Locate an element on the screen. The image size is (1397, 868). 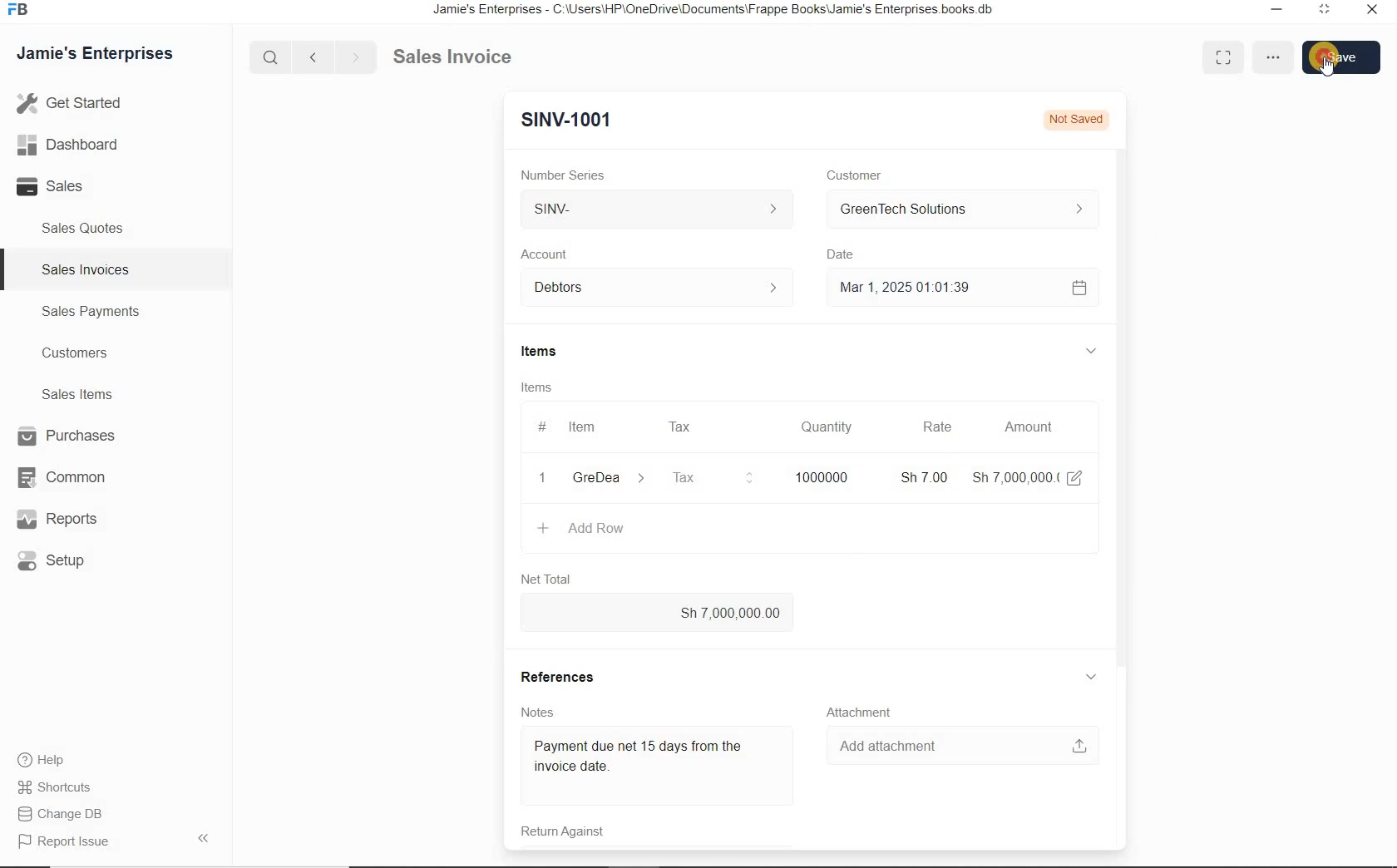
Customers is located at coordinates (72, 353).